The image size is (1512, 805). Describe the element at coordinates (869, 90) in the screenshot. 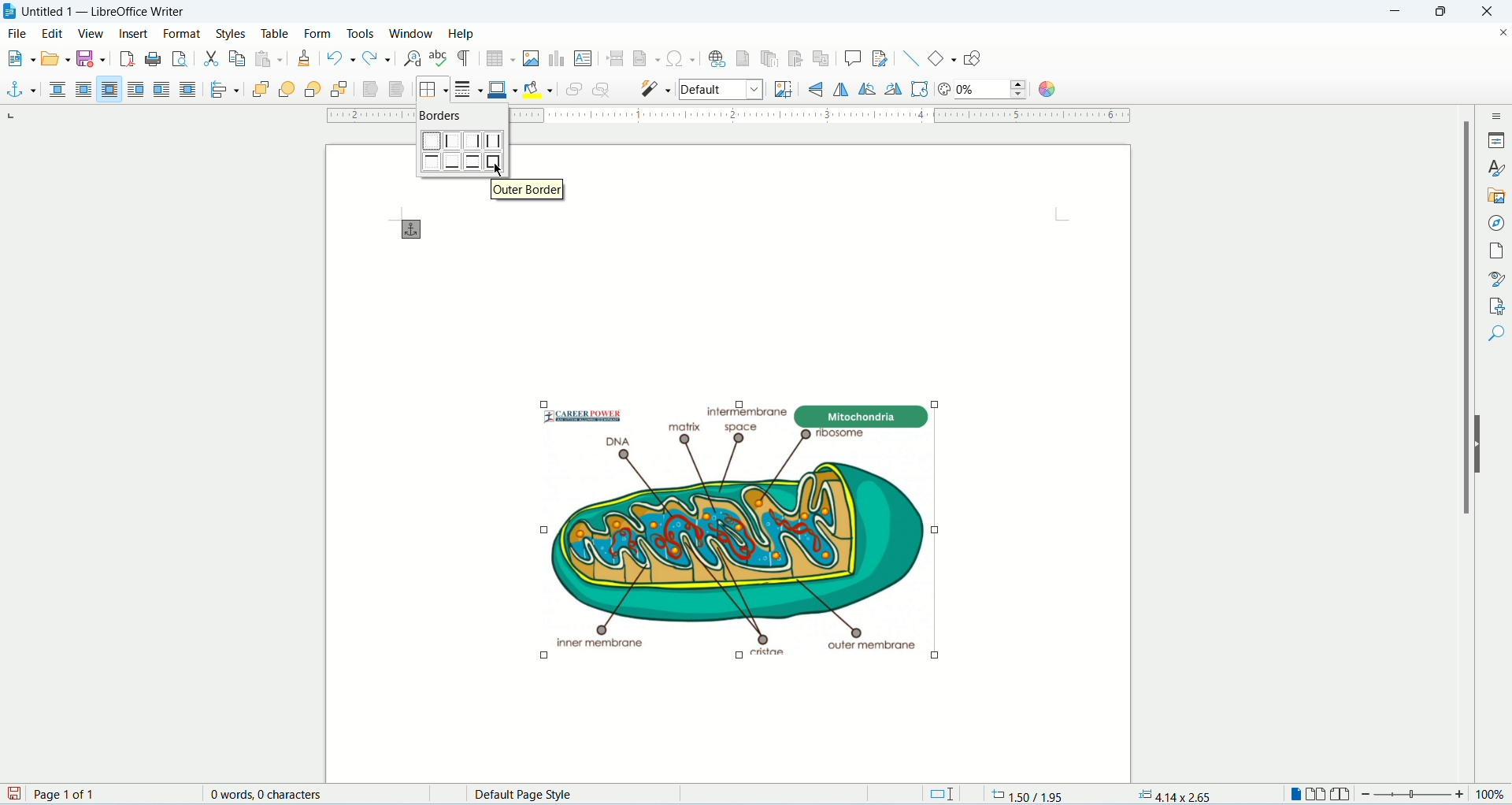

I see `rotate left` at that location.